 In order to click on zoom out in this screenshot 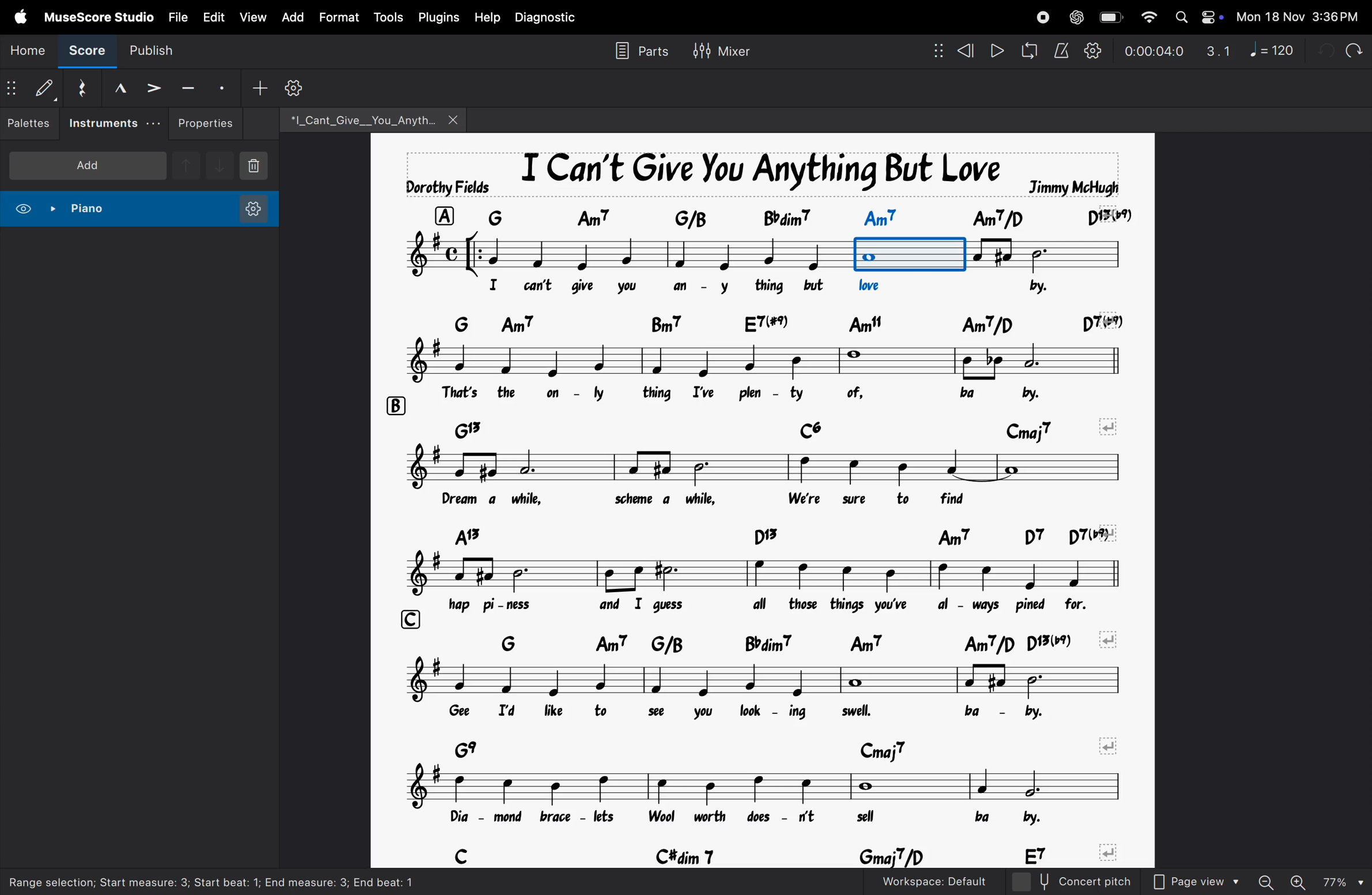, I will do `click(1265, 881)`.